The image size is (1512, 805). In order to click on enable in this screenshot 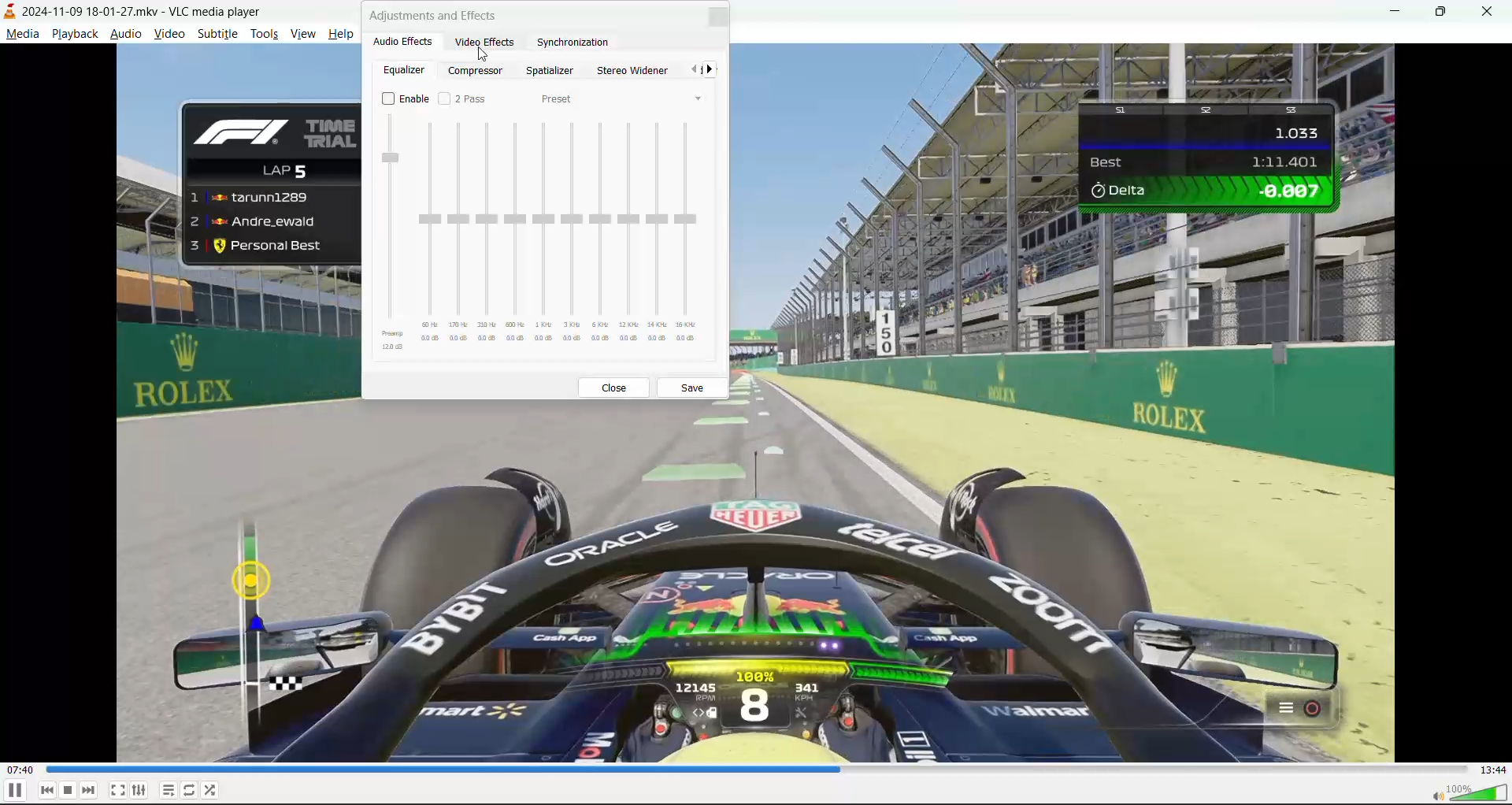, I will do `click(405, 98)`.